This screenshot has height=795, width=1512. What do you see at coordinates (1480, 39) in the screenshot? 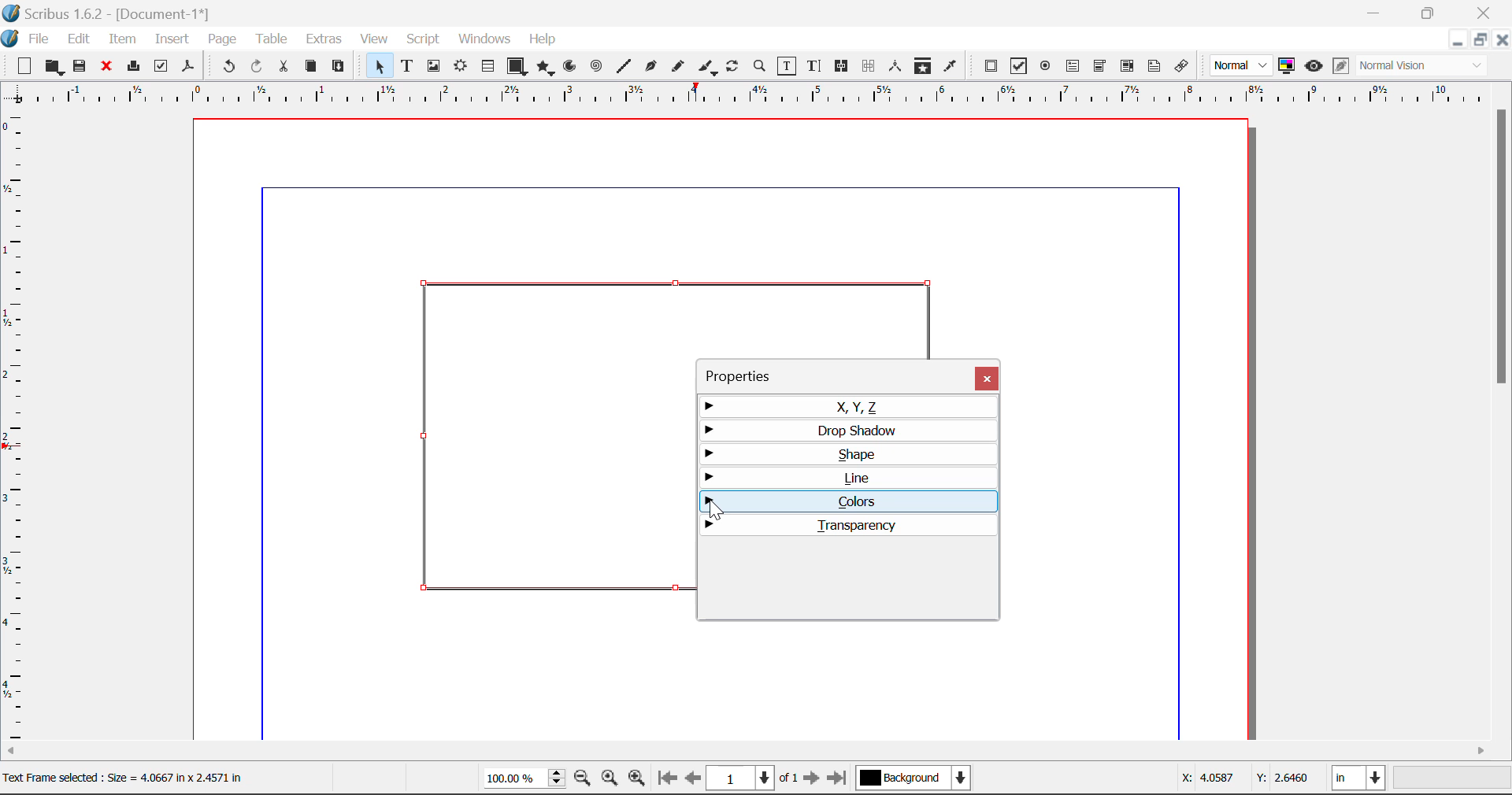
I see `Minimize` at bounding box center [1480, 39].